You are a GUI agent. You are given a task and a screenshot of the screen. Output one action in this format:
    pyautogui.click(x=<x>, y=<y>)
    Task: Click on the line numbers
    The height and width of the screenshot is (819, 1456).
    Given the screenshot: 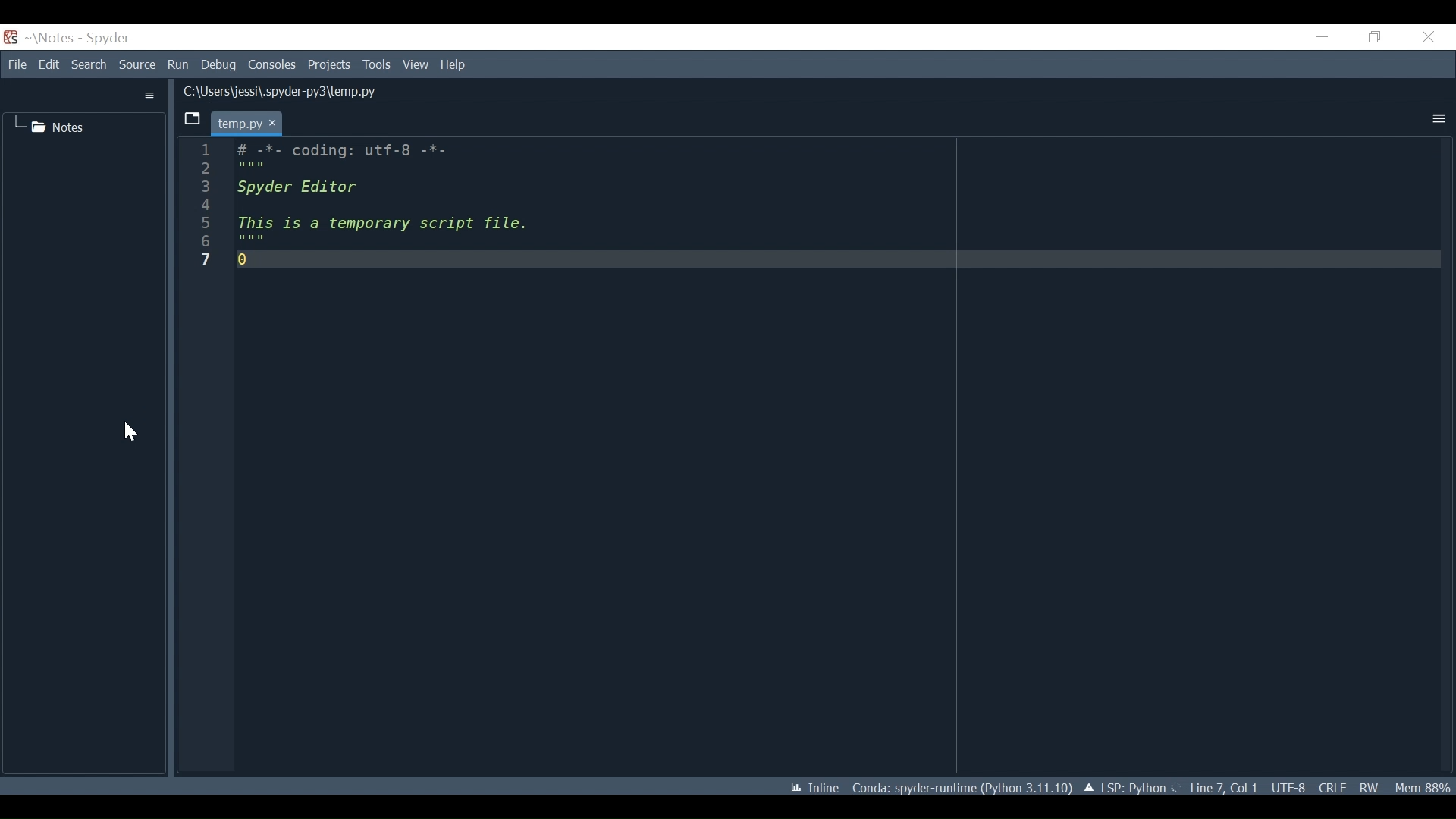 What is the action you would take?
    pyautogui.click(x=207, y=210)
    